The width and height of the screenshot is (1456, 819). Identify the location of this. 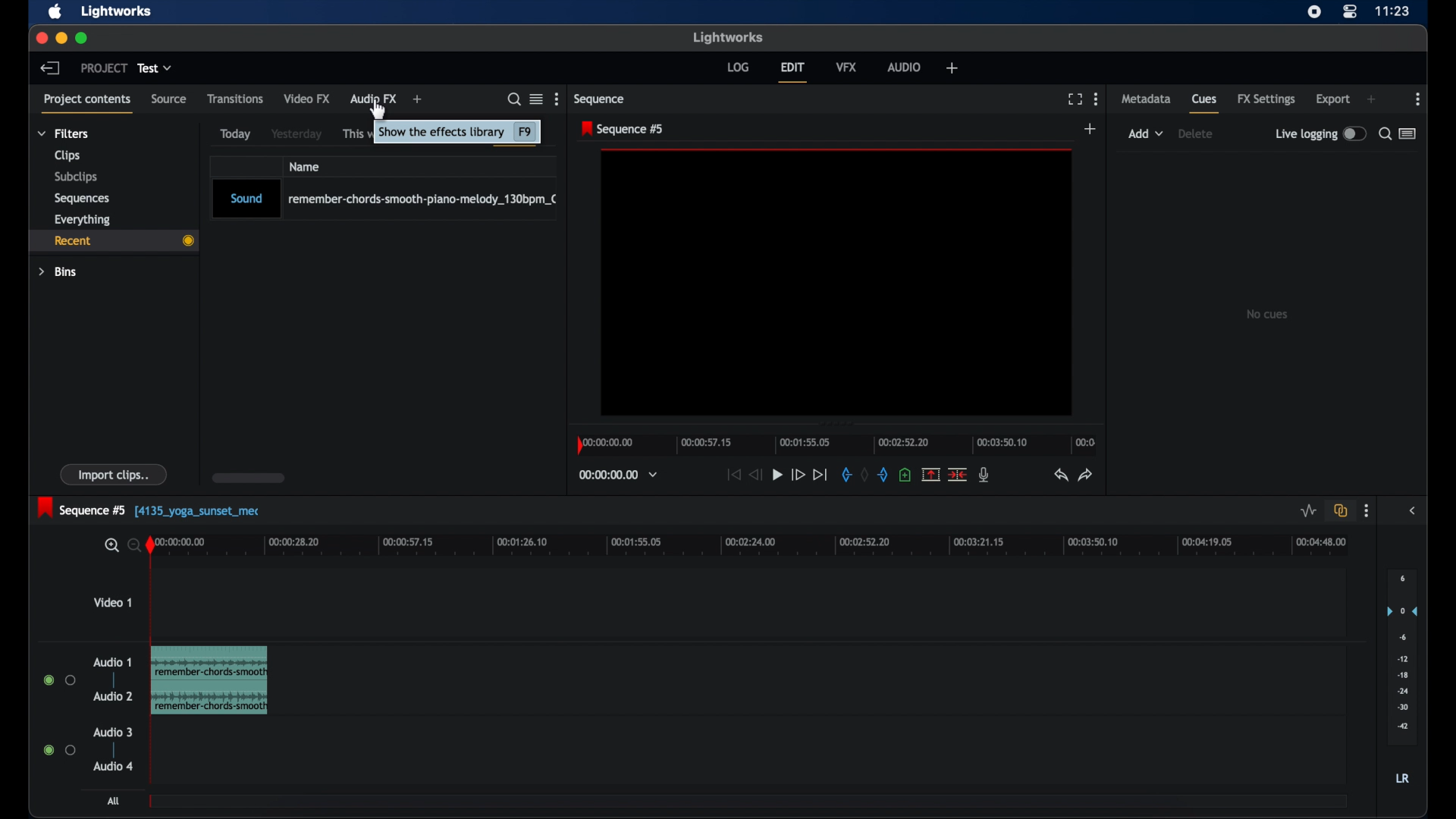
(351, 135).